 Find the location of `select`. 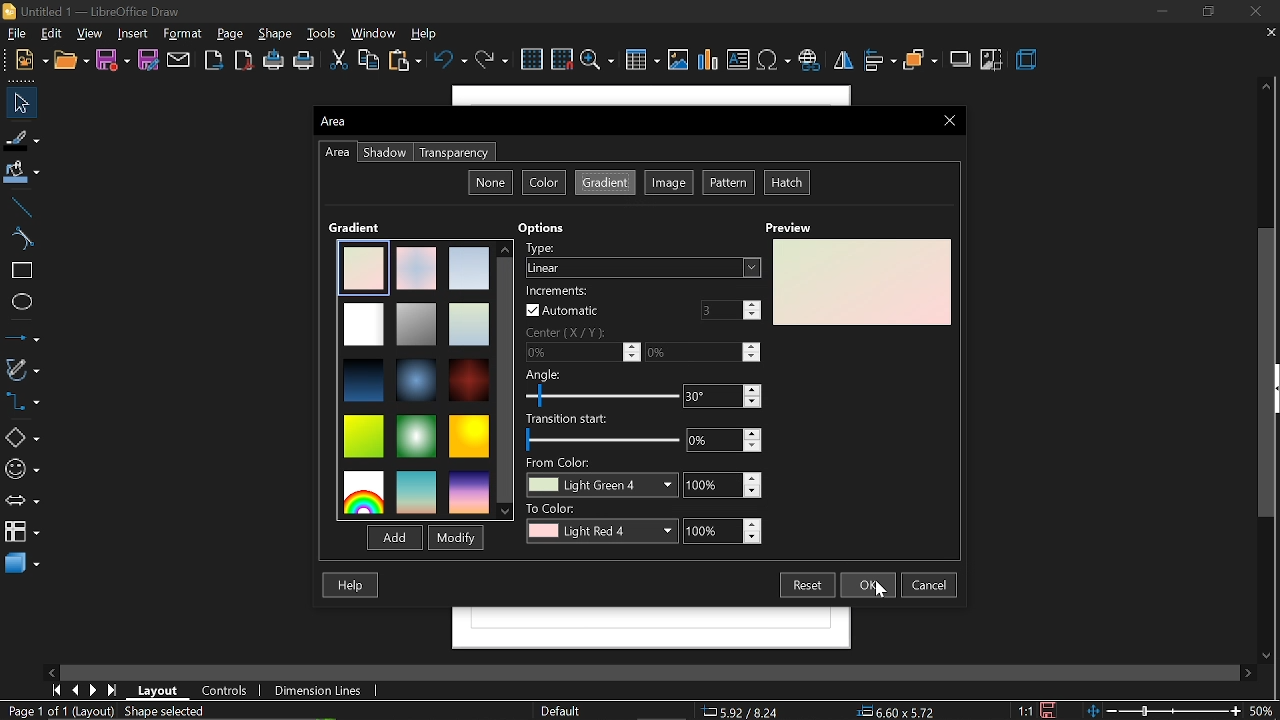

select is located at coordinates (21, 103).